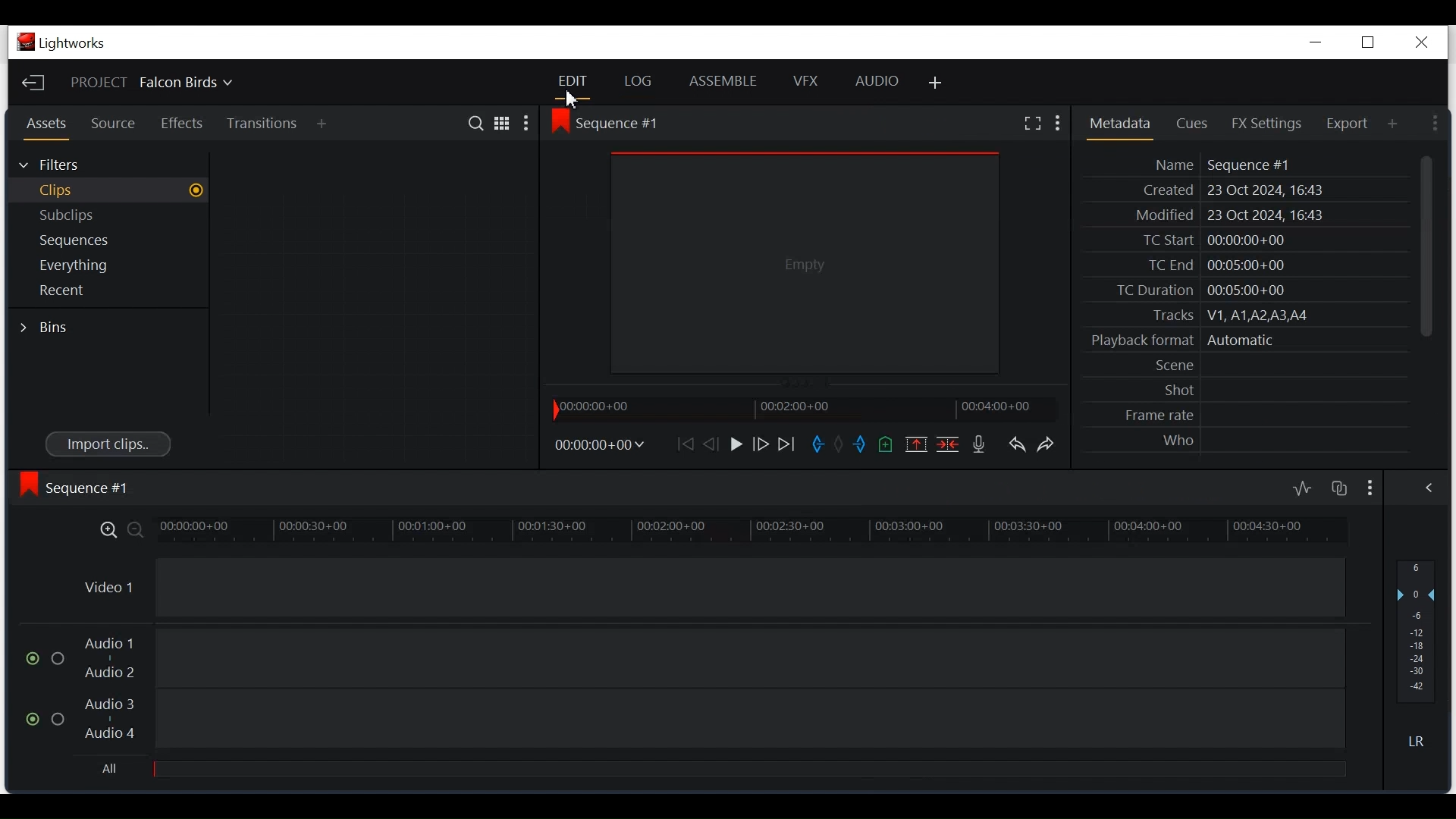 The width and height of the screenshot is (1456, 819). Describe the element at coordinates (725, 80) in the screenshot. I see `Assemble` at that location.